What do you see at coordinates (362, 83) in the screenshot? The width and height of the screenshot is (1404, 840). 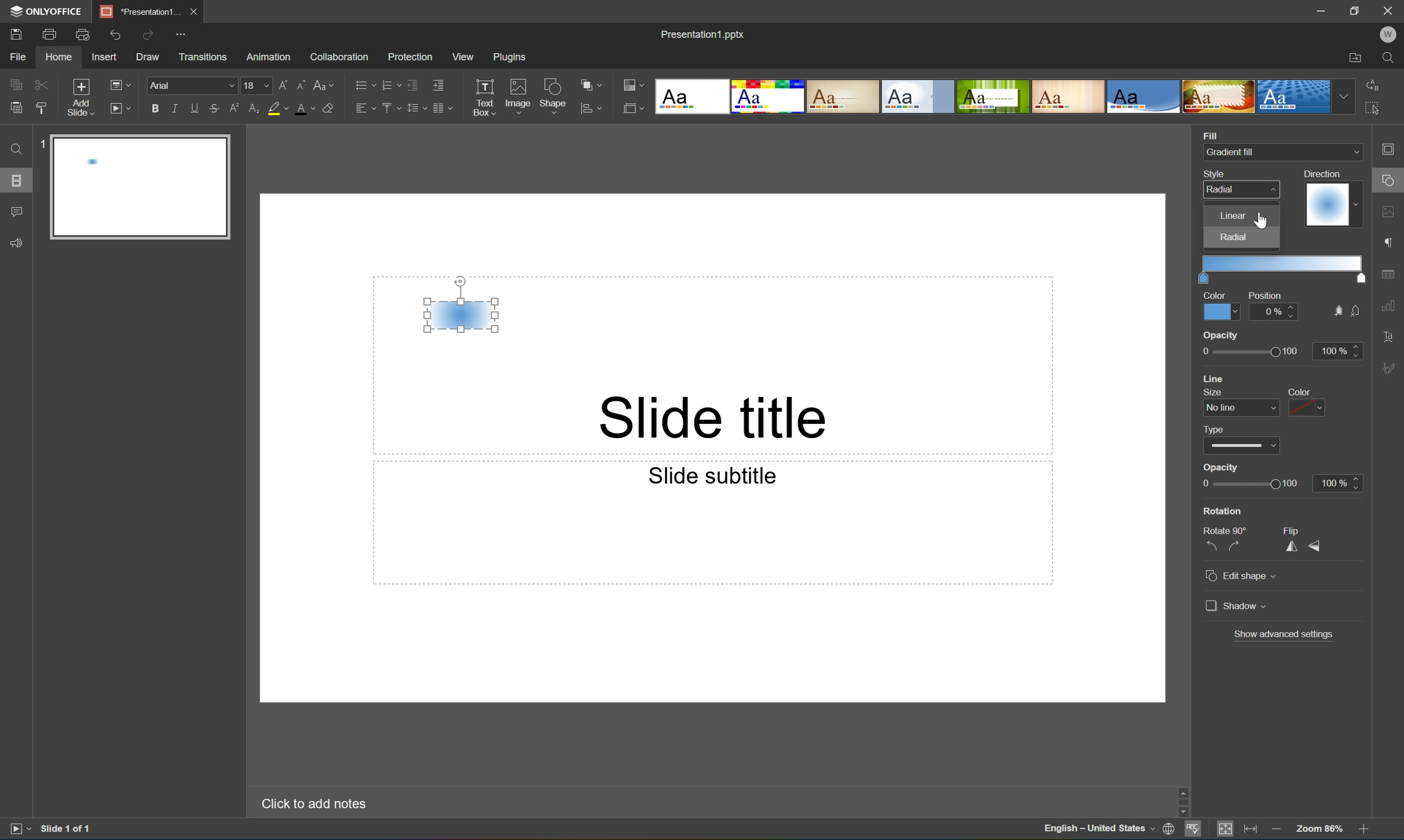 I see `Bullets` at bounding box center [362, 83].